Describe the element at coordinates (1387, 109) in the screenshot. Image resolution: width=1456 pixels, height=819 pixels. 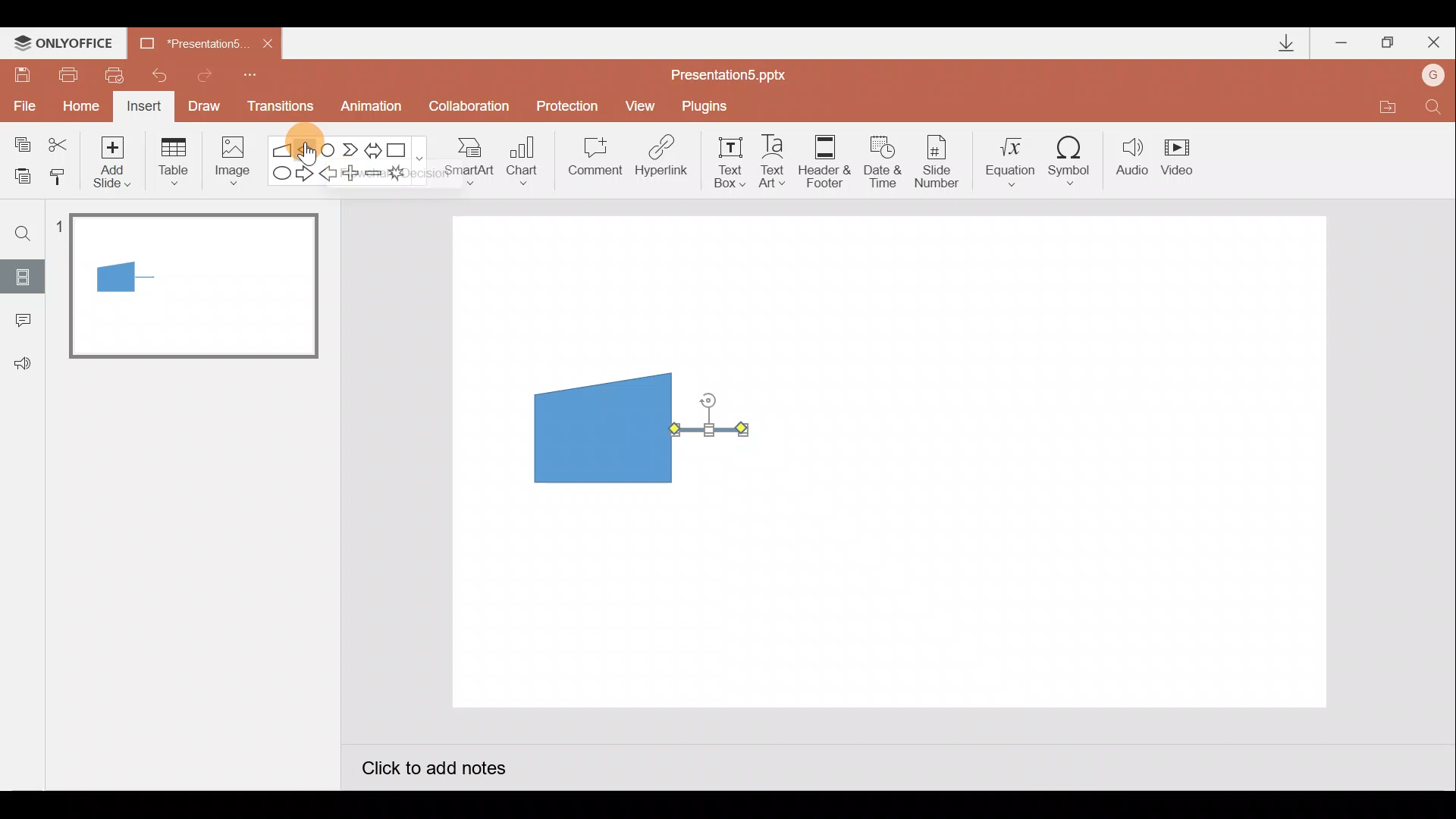
I see `Open file location` at that location.